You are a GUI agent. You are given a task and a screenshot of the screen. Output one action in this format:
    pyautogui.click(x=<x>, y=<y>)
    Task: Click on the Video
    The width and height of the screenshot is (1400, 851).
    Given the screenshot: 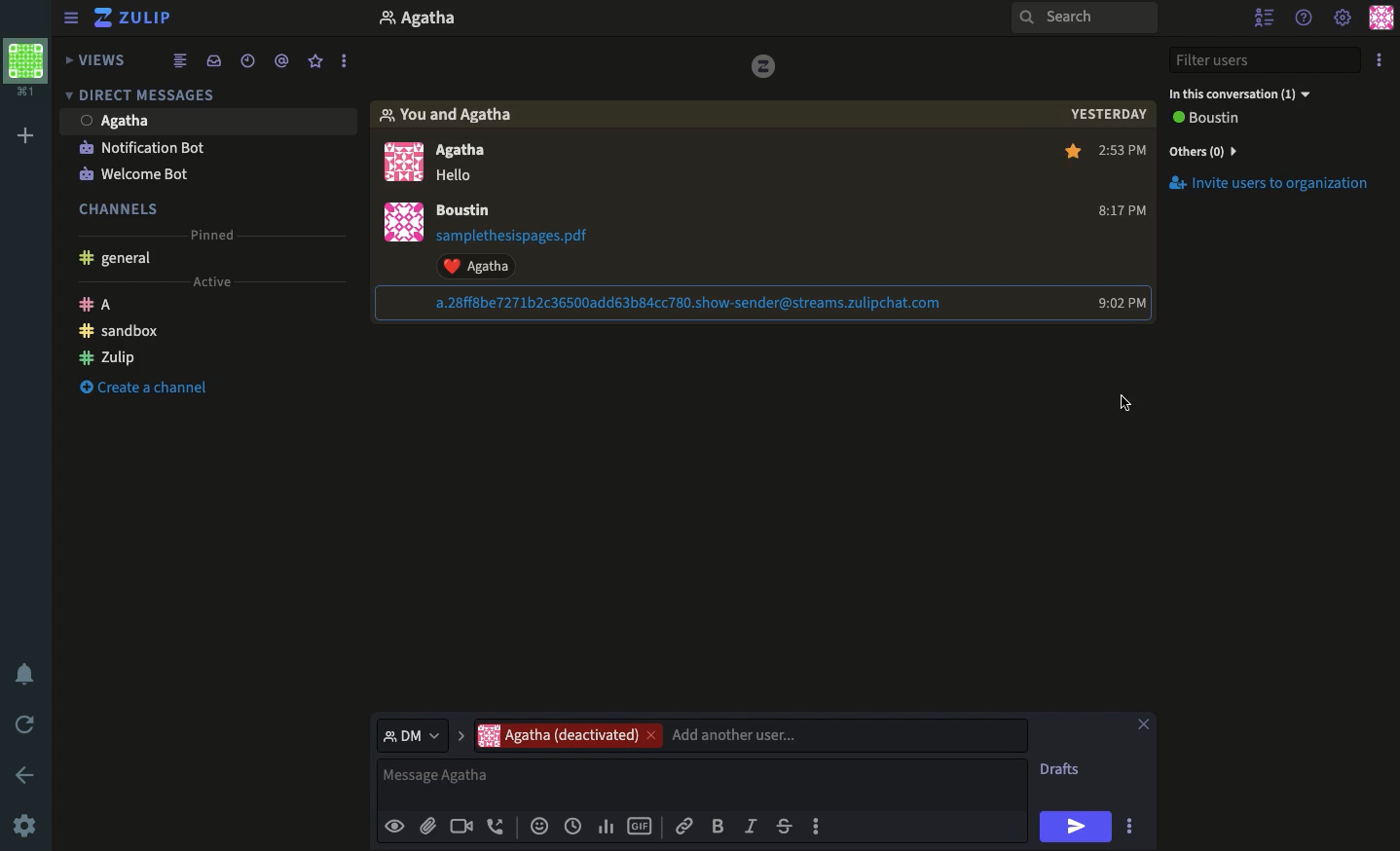 What is the action you would take?
    pyautogui.click(x=461, y=827)
    